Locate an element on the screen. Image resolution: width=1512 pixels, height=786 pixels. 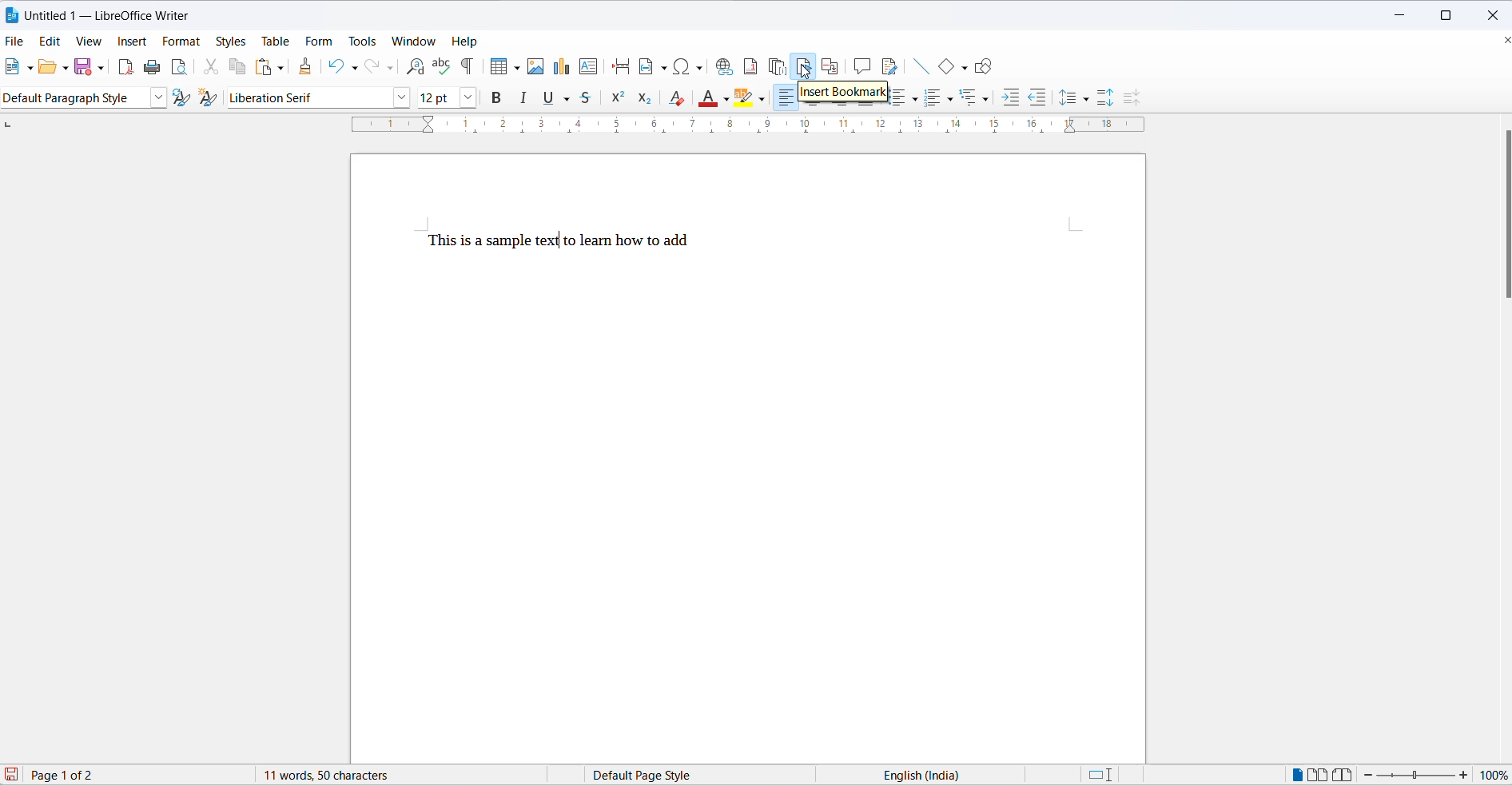
format is located at coordinates (183, 43).